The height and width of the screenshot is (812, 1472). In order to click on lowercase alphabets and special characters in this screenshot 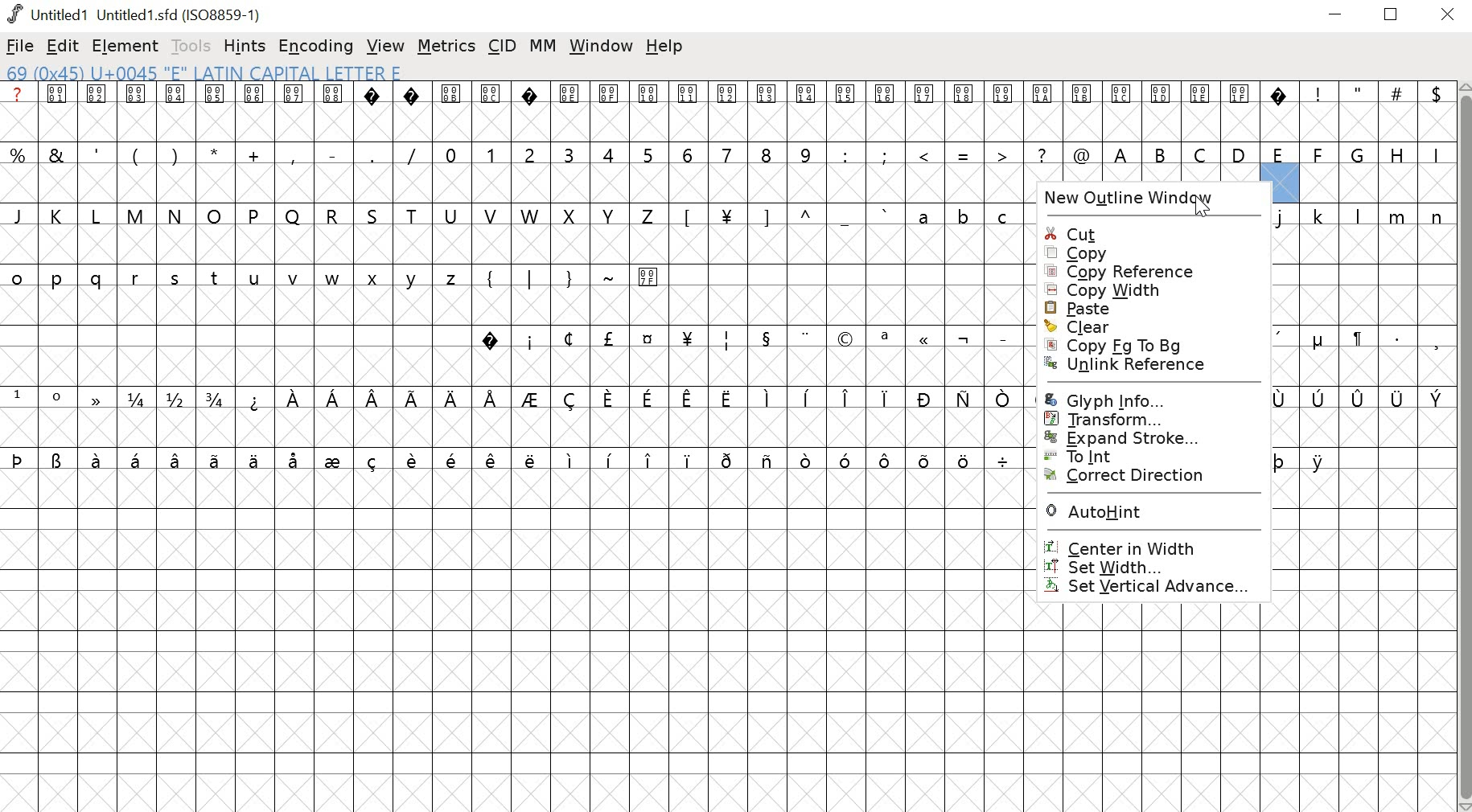, I will do `click(846, 215)`.